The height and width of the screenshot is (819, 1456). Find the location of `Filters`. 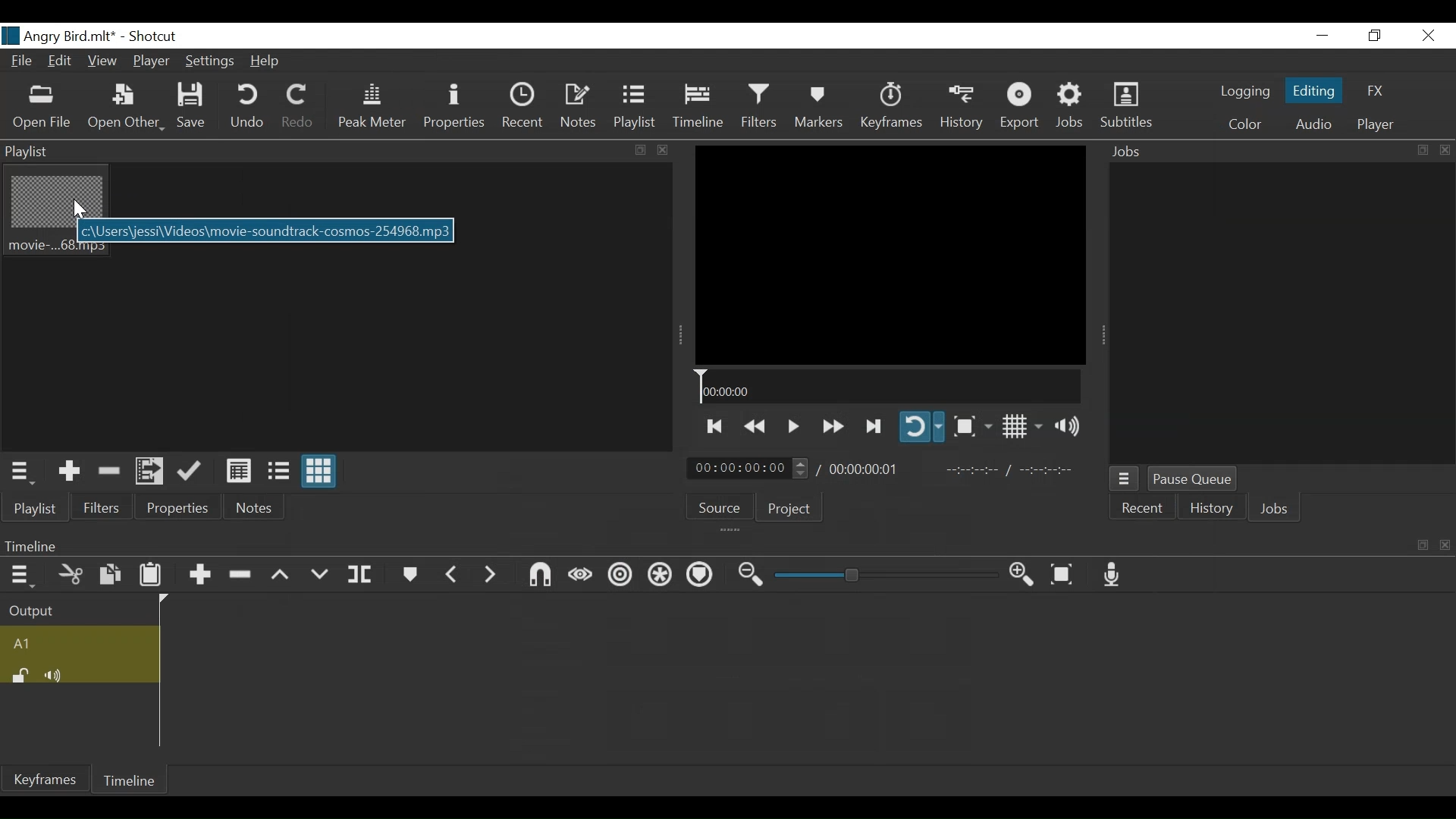

Filters is located at coordinates (759, 106).